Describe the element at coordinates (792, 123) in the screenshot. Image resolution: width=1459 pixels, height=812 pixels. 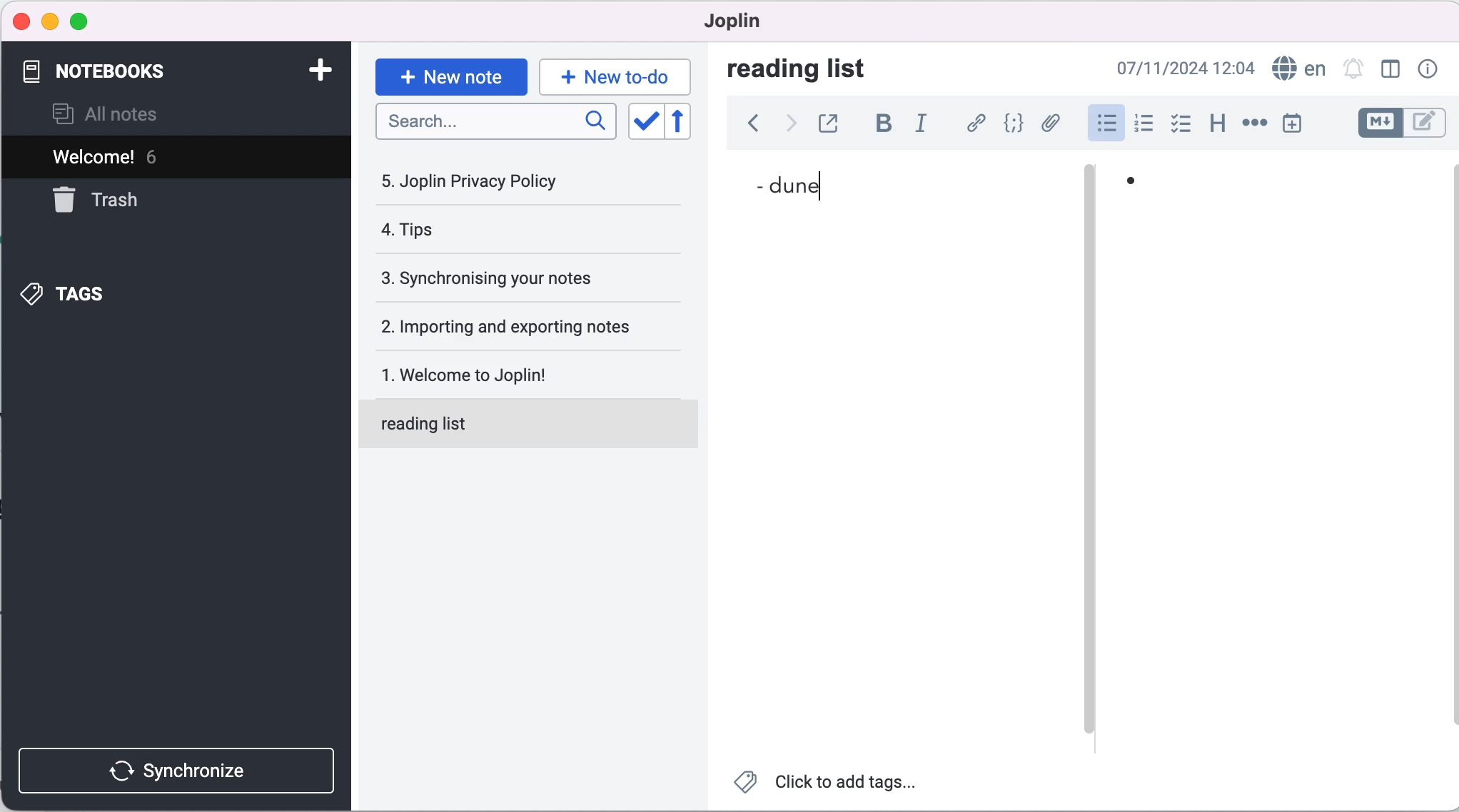
I see `forward` at that location.